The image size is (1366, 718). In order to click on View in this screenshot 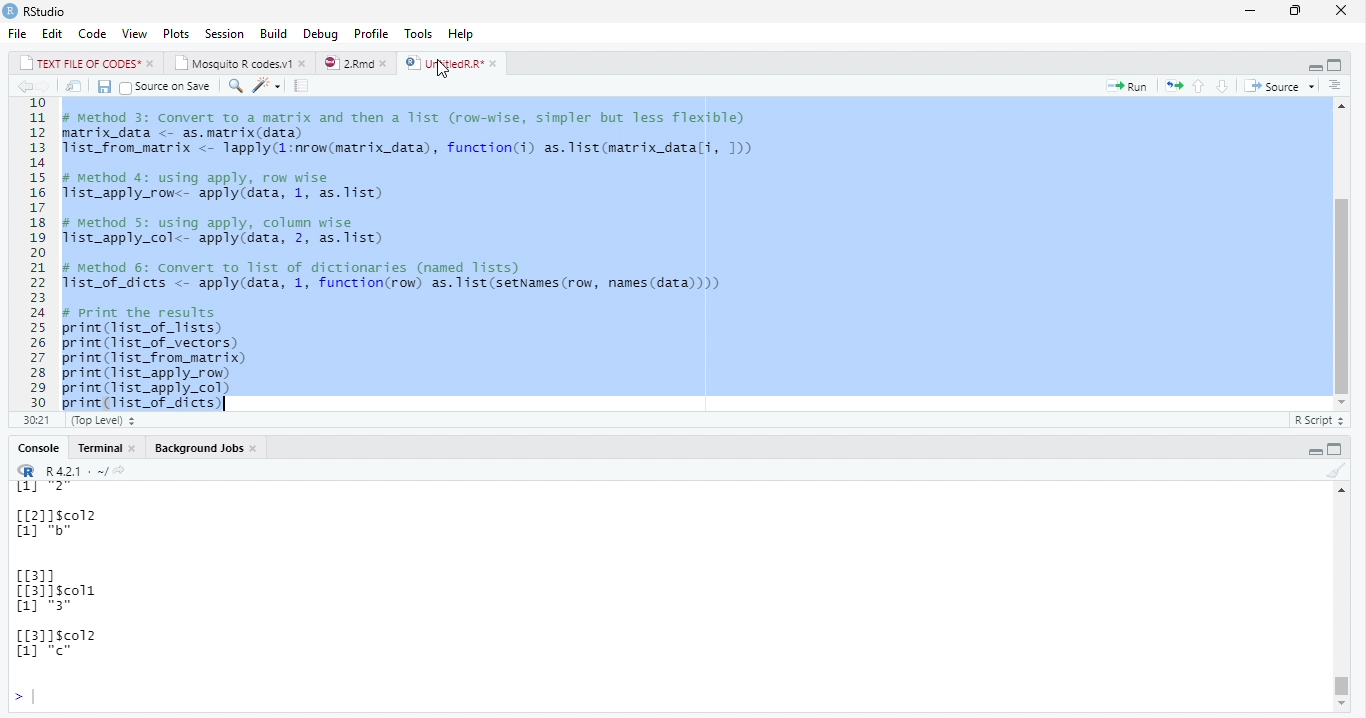, I will do `click(135, 32)`.